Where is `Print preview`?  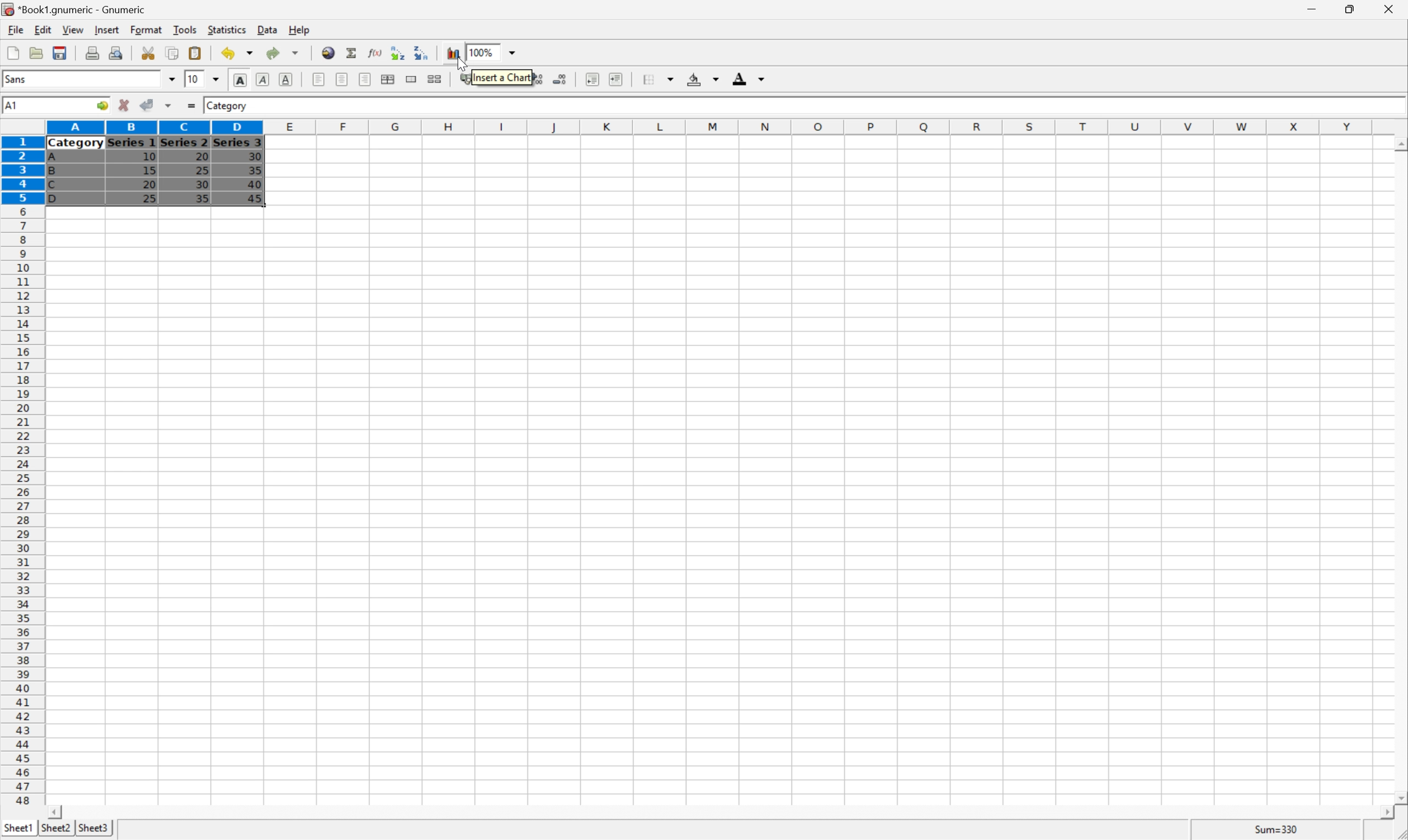
Print preview is located at coordinates (117, 53).